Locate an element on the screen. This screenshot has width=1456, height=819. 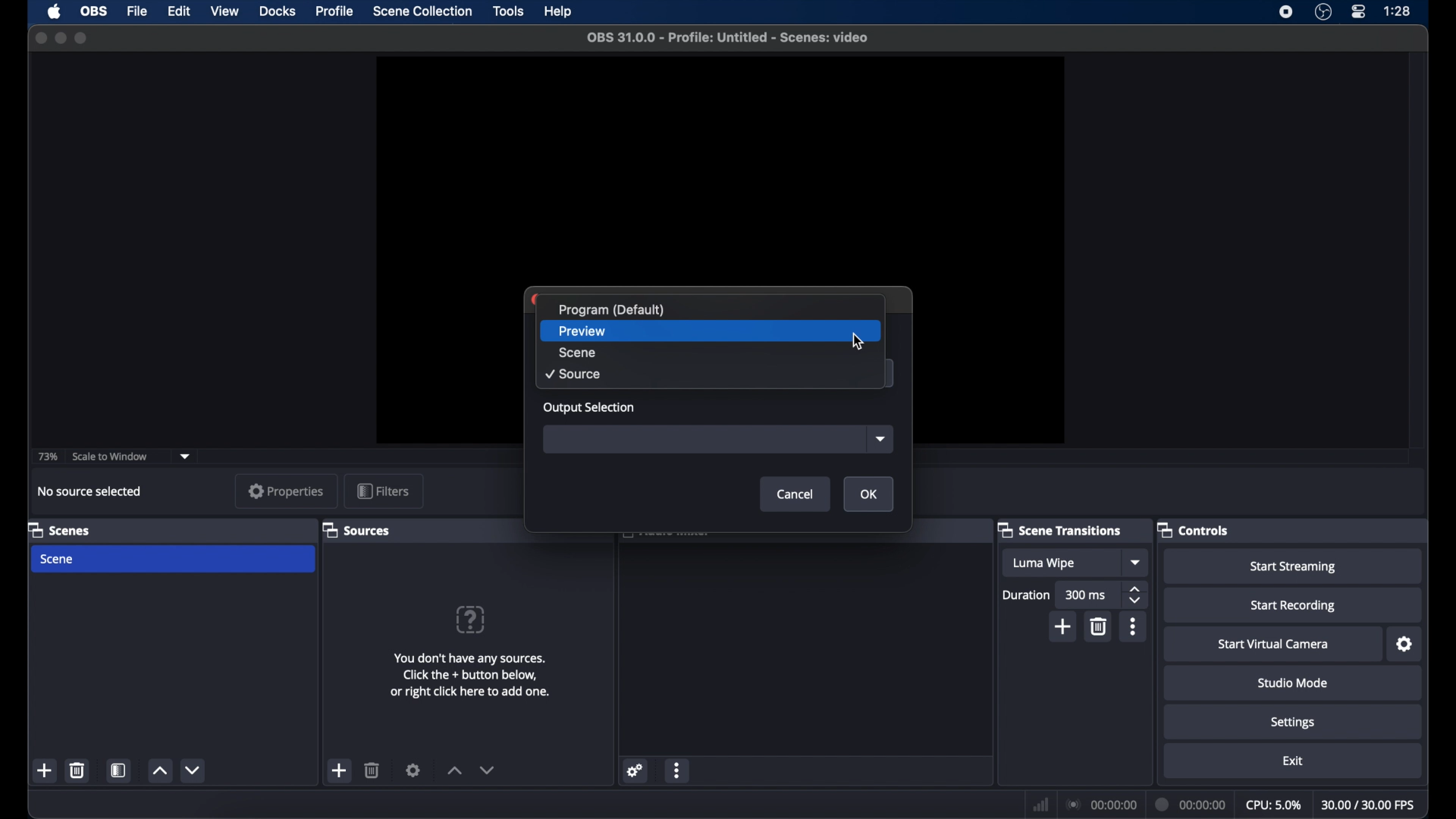
network is located at coordinates (1041, 804).